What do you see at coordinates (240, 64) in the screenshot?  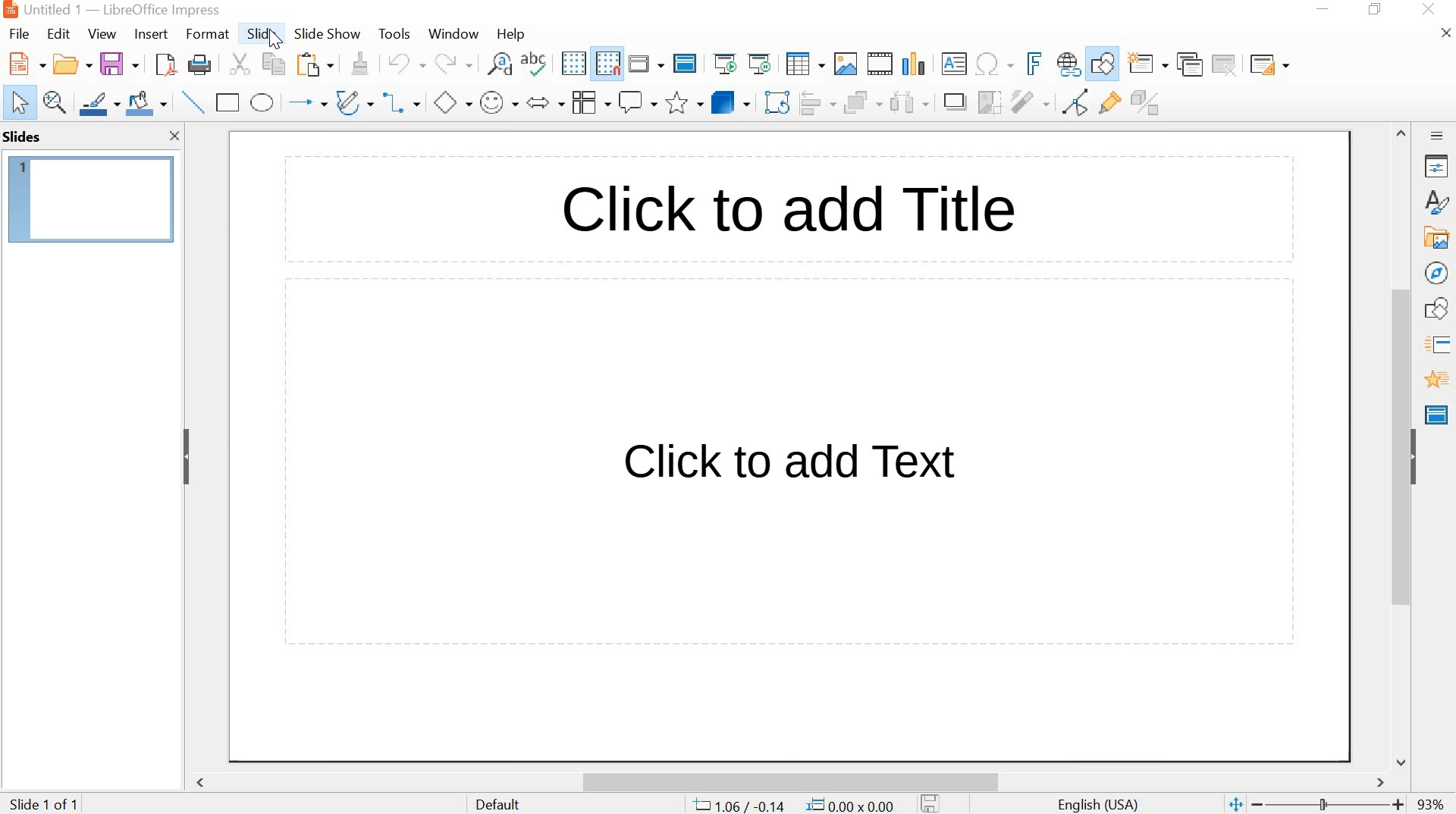 I see `CUT` at bounding box center [240, 64].